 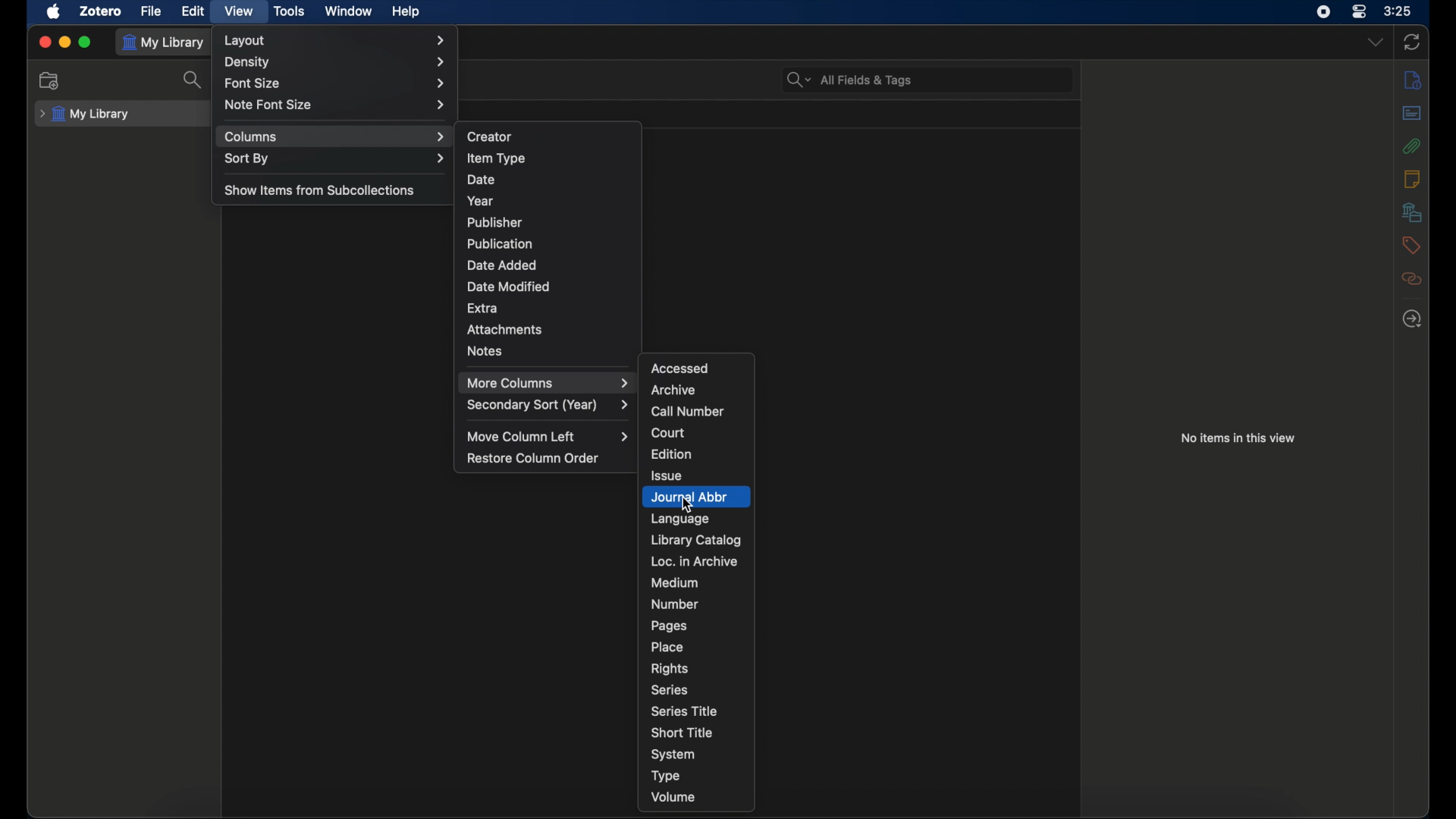 I want to click on font size, so click(x=334, y=83).